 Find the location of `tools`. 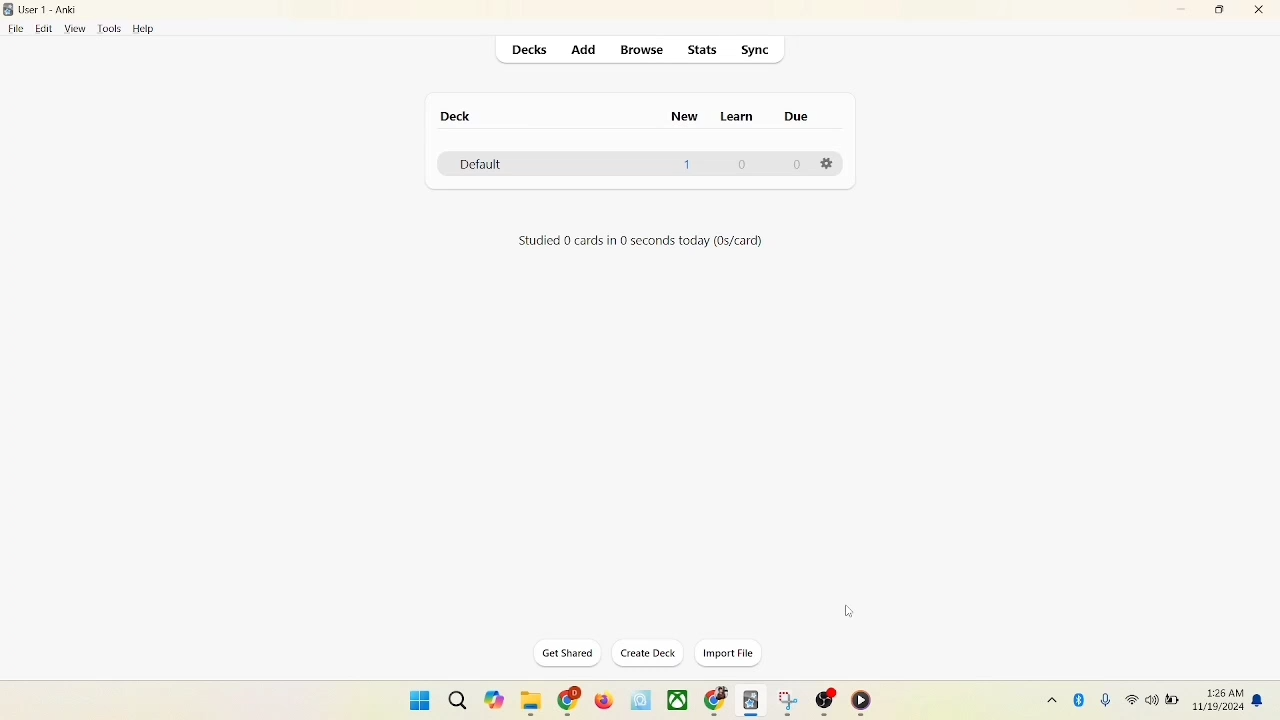

tools is located at coordinates (109, 29).